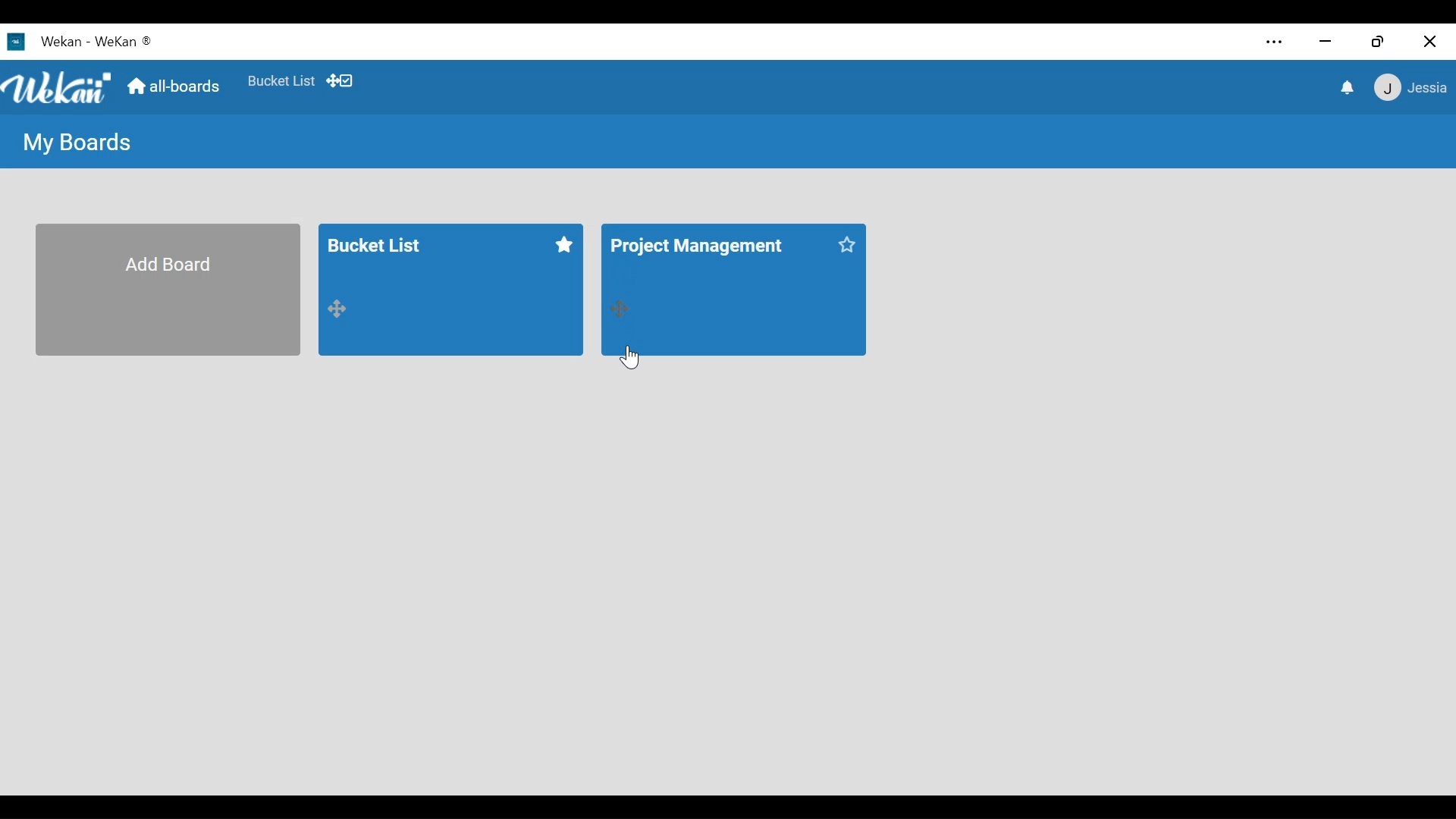 This screenshot has width=1456, height=819. Describe the element at coordinates (168, 288) in the screenshot. I see `Add Board` at that location.